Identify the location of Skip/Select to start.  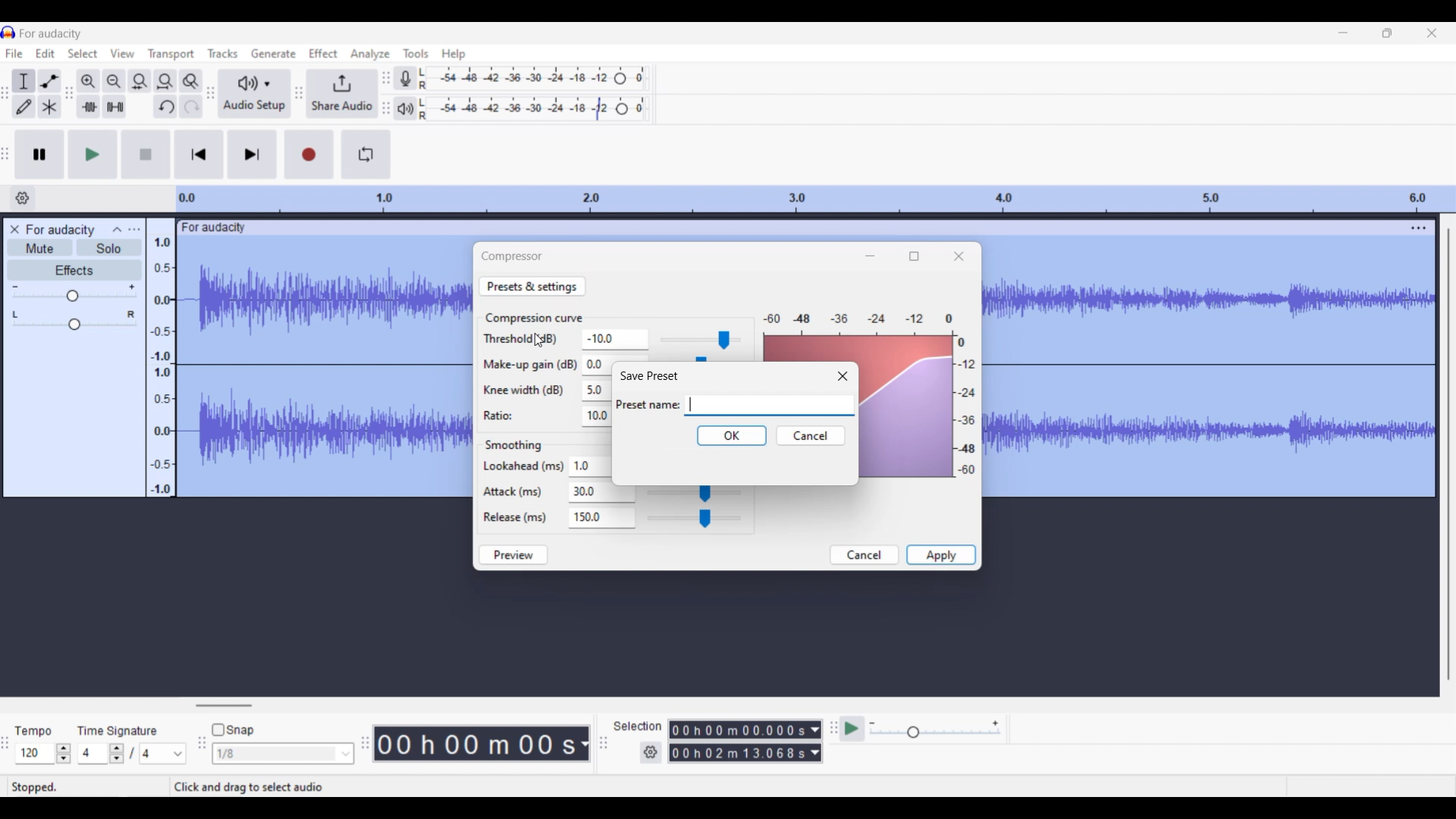
(199, 155).